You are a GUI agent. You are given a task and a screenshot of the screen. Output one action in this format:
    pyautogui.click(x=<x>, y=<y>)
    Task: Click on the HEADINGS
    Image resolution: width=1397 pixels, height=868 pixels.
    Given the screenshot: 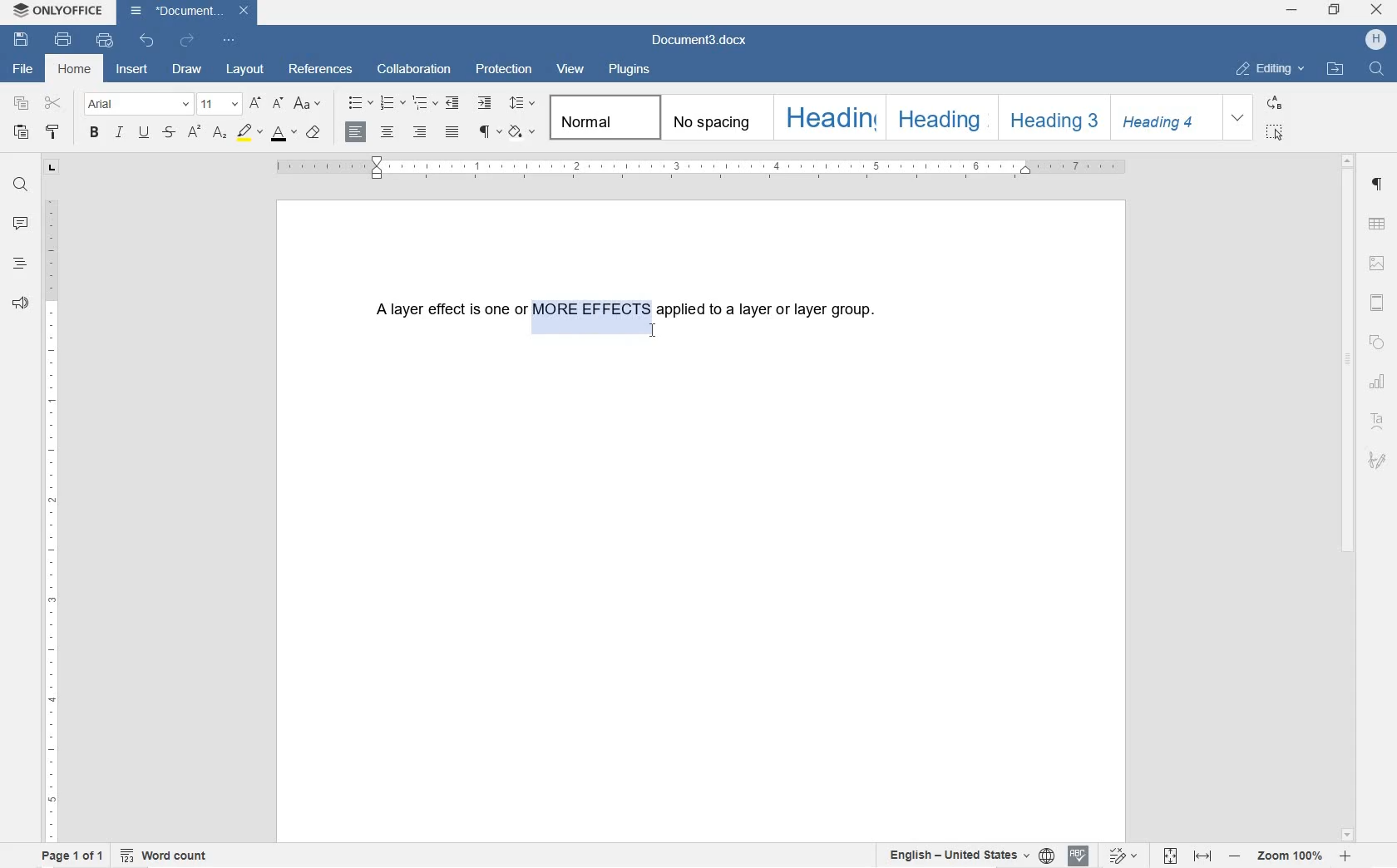 What is the action you would take?
    pyautogui.click(x=19, y=265)
    